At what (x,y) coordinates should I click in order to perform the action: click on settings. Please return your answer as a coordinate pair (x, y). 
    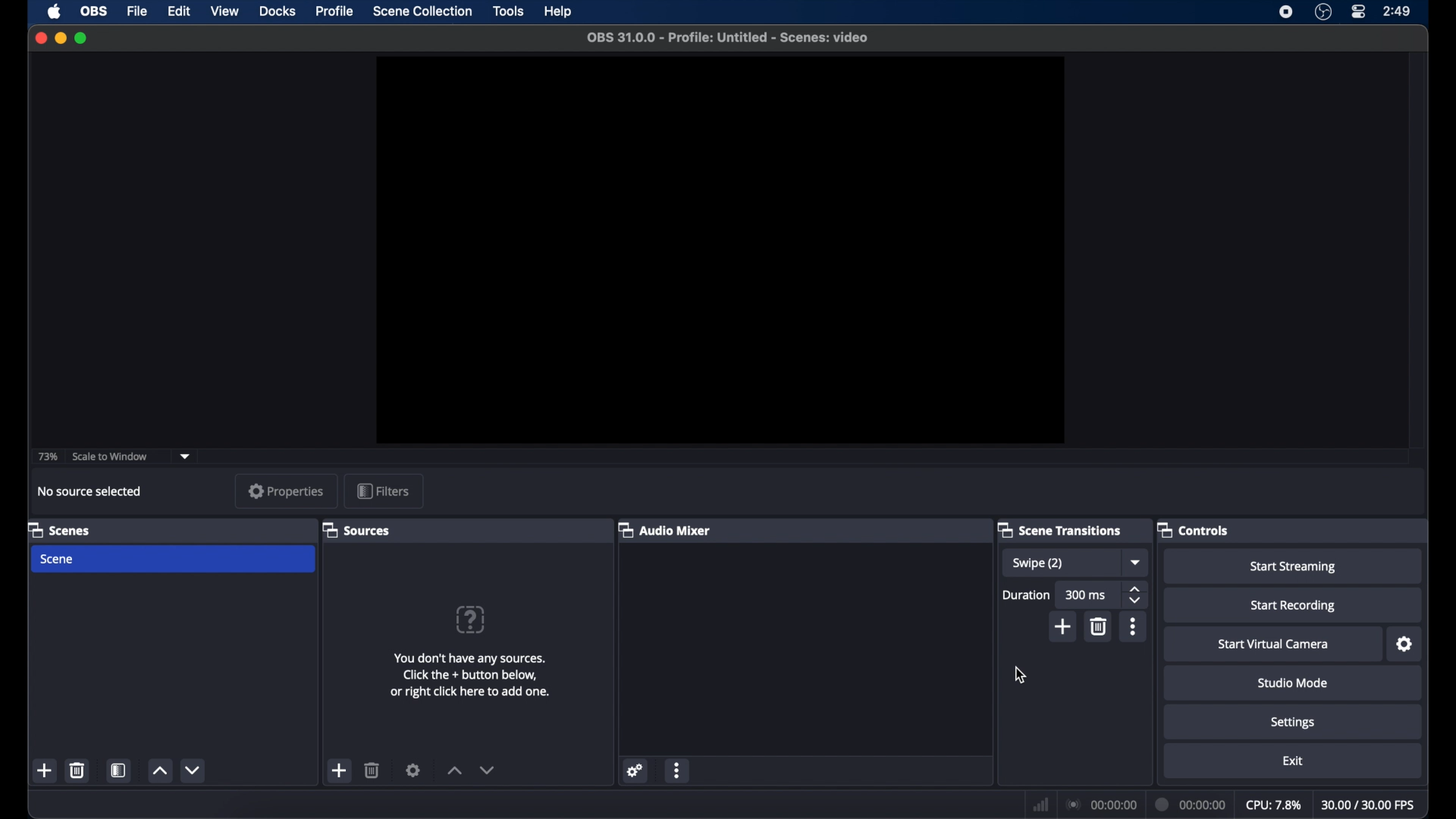
    Looking at the image, I should click on (1406, 645).